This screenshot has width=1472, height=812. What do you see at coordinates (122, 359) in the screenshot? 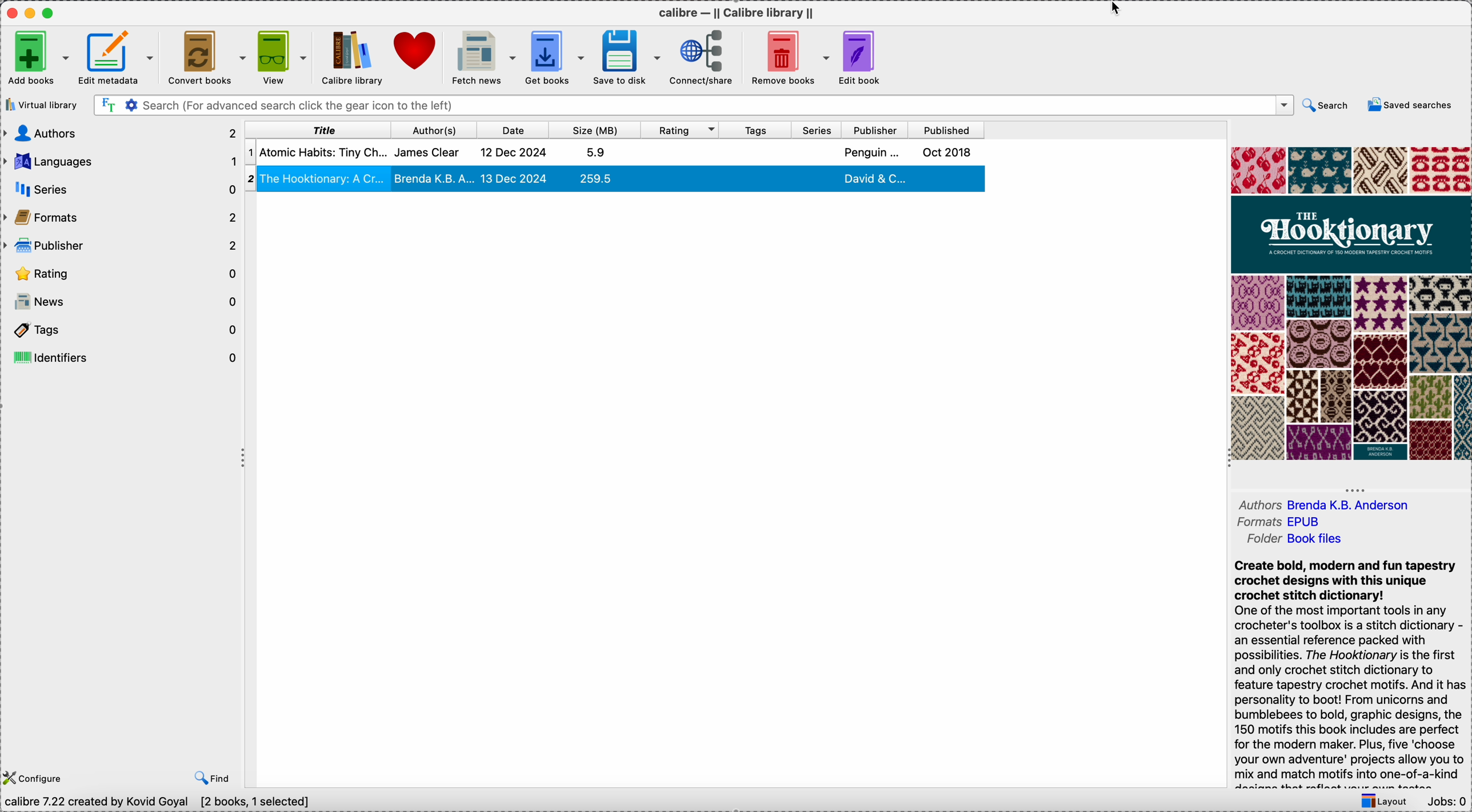
I see `identifiers` at bounding box center [122, 359].